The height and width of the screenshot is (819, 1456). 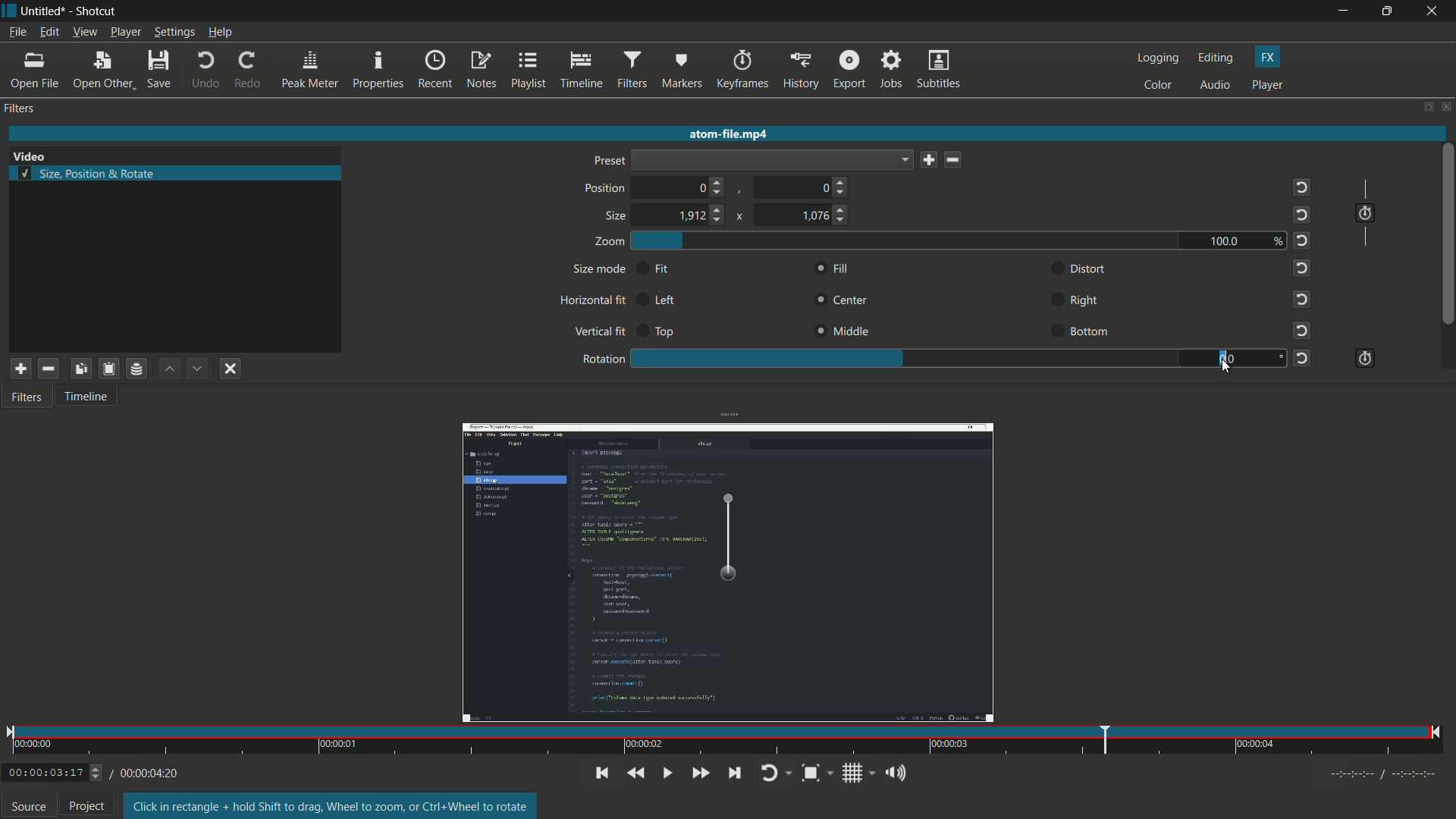 I want to click on editing, so click(x=1217, y=58).